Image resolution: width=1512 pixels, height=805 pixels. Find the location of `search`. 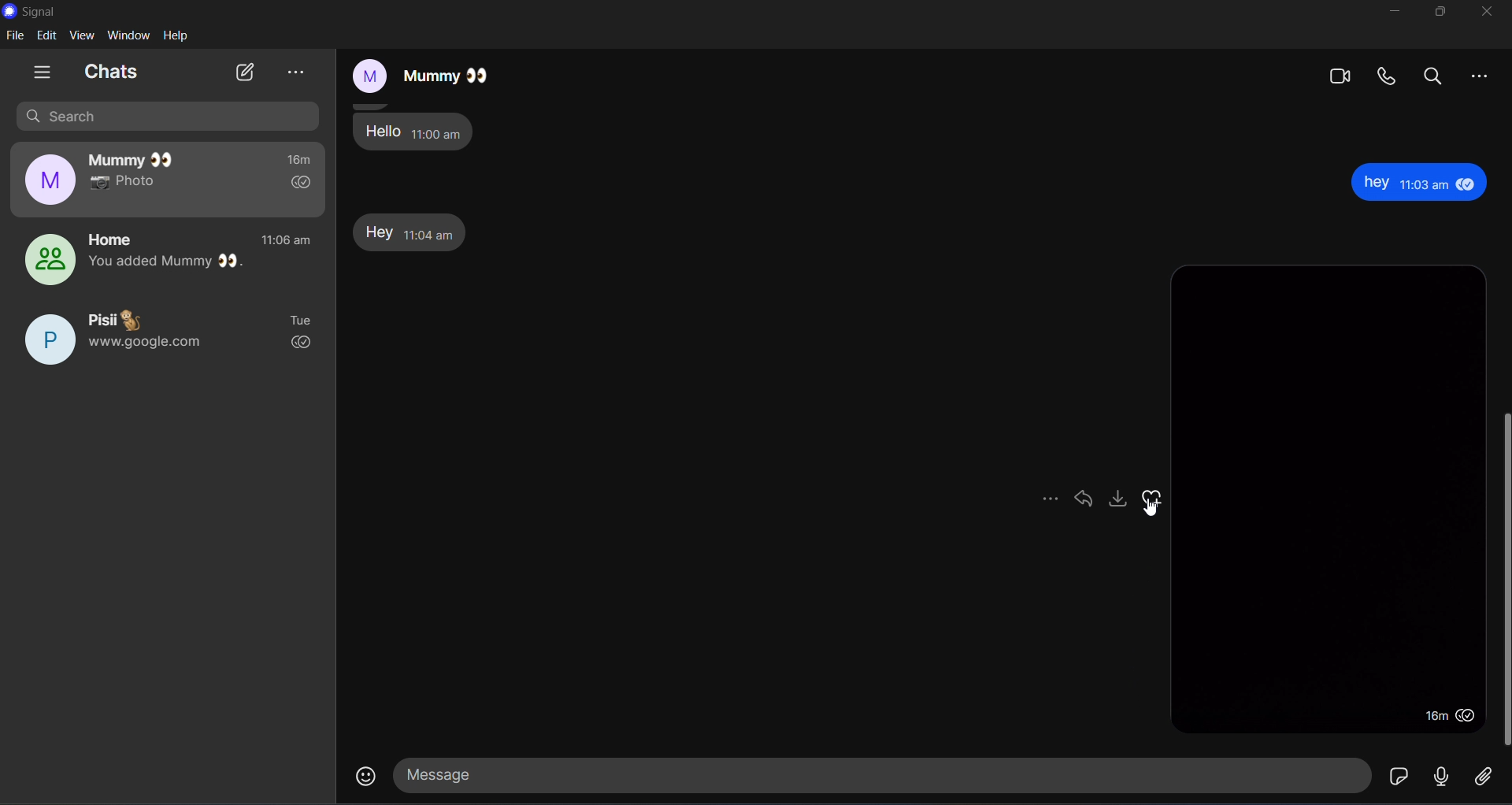

search is located at coordinates (1433, 76).